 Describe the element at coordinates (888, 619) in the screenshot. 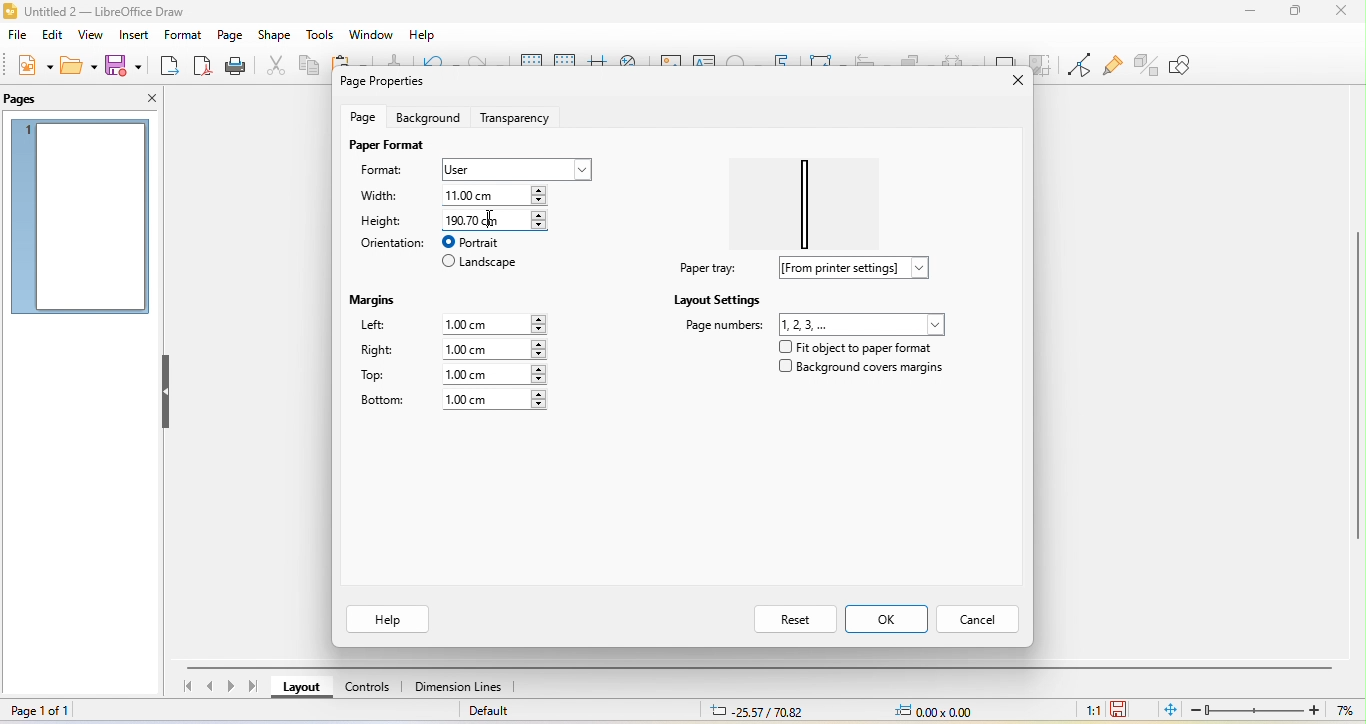

I see `ok` at that location.